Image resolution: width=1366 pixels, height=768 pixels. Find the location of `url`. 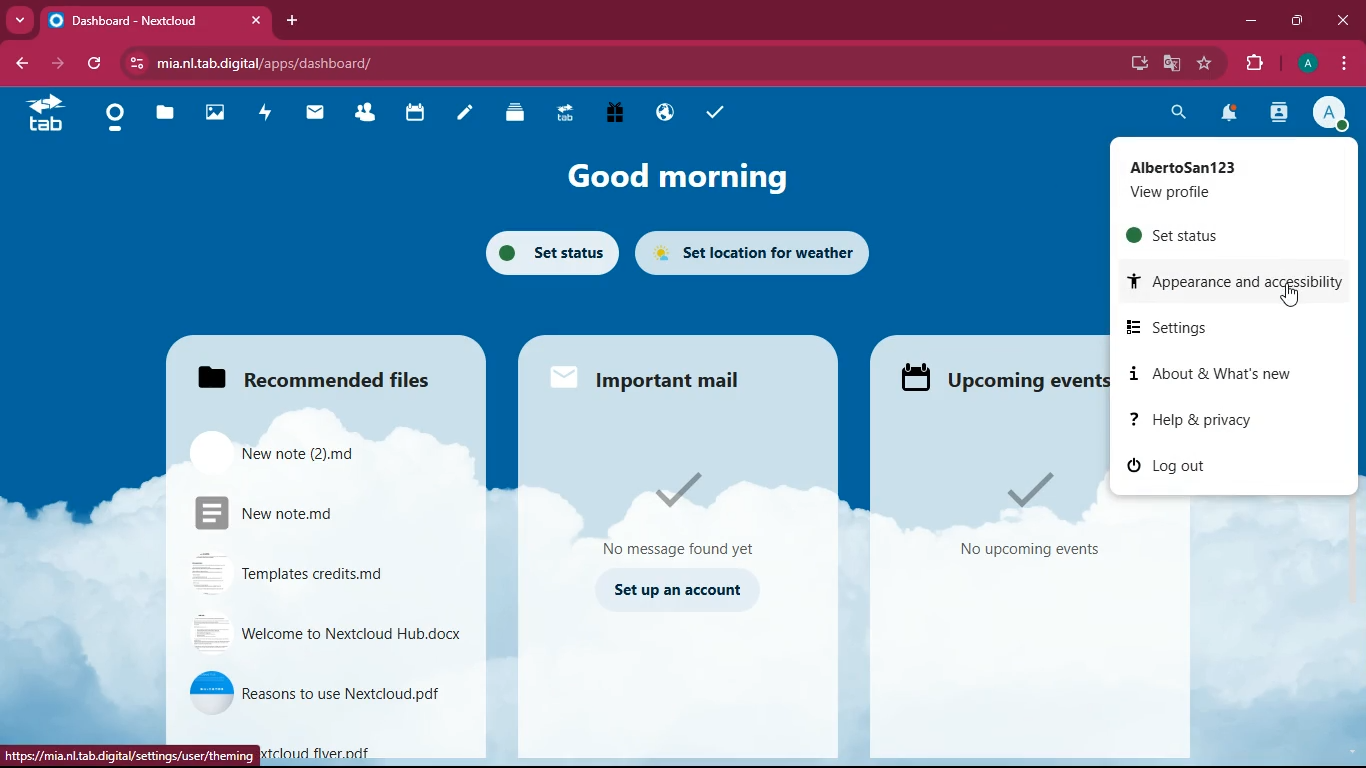

url is located at coordinates (281, 63).